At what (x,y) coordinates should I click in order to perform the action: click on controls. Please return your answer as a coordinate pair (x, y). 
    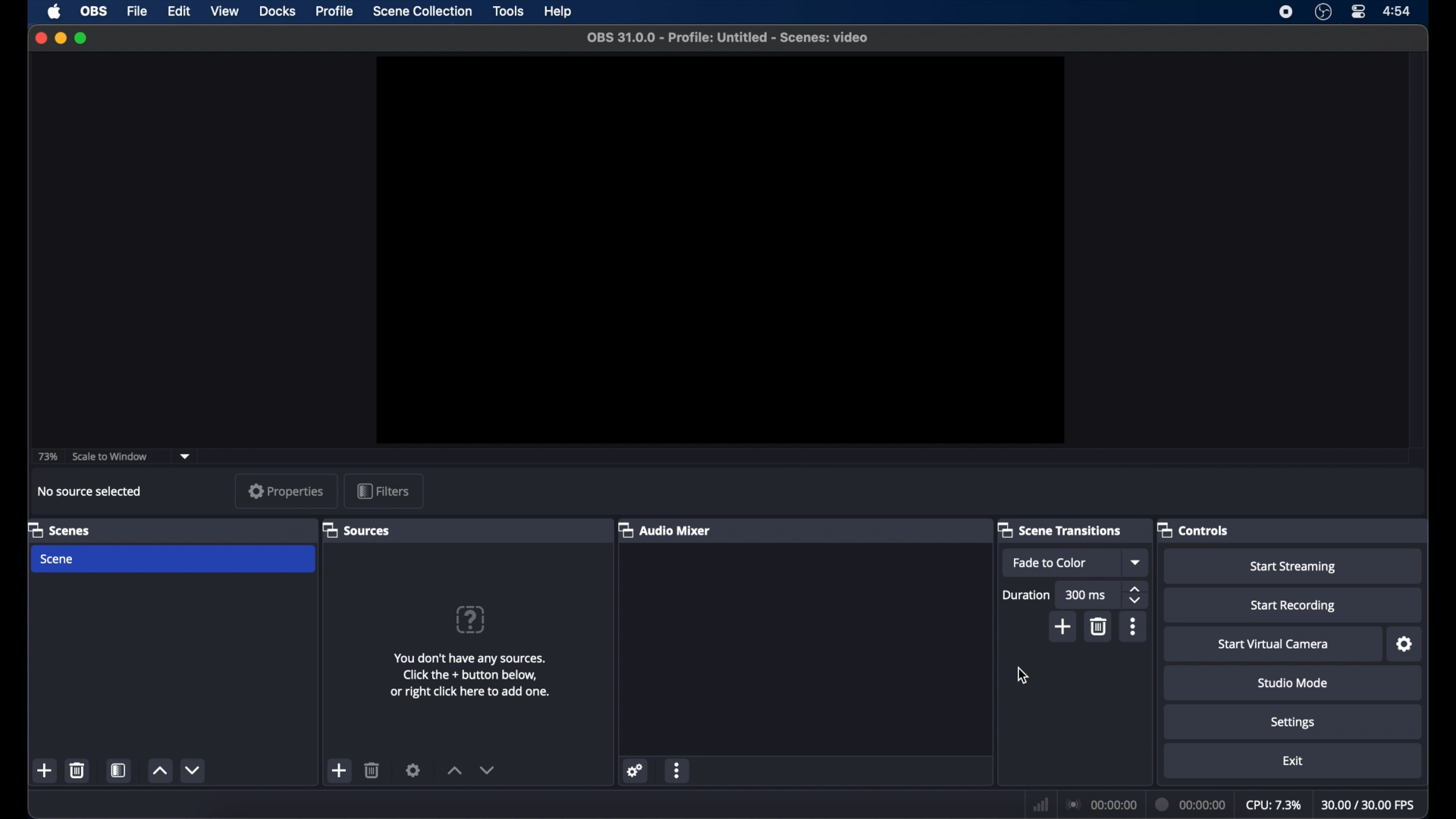
    Looking at the image, I should click on (1192, 529).